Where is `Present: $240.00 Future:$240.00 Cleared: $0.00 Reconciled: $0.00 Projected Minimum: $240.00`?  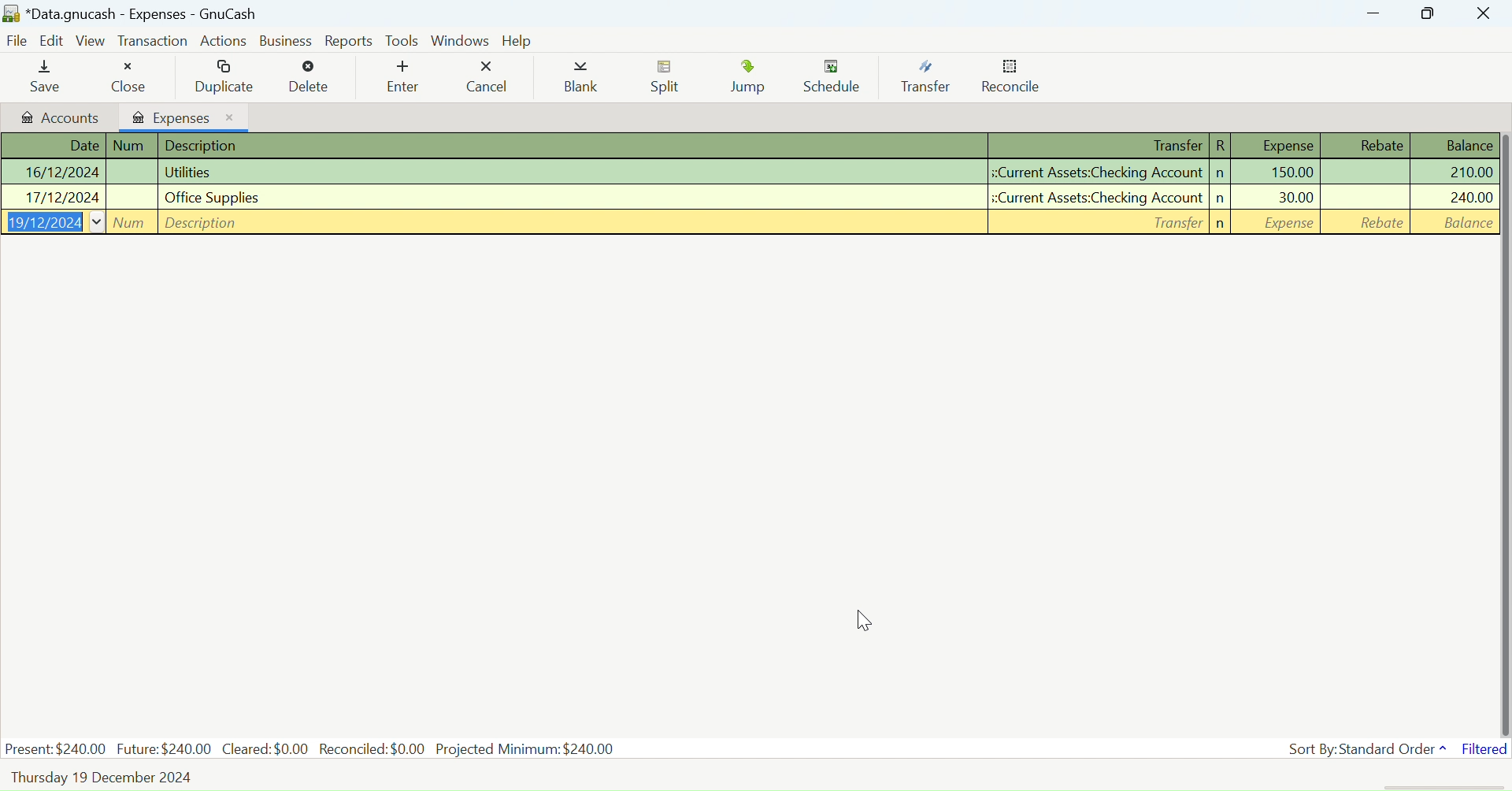 Present: $240.00 Future:$240.00 Cleared: $0.00 Reconciled: $0.00 Projected Minimum: $240.00 is located at coordinates (312, 748).